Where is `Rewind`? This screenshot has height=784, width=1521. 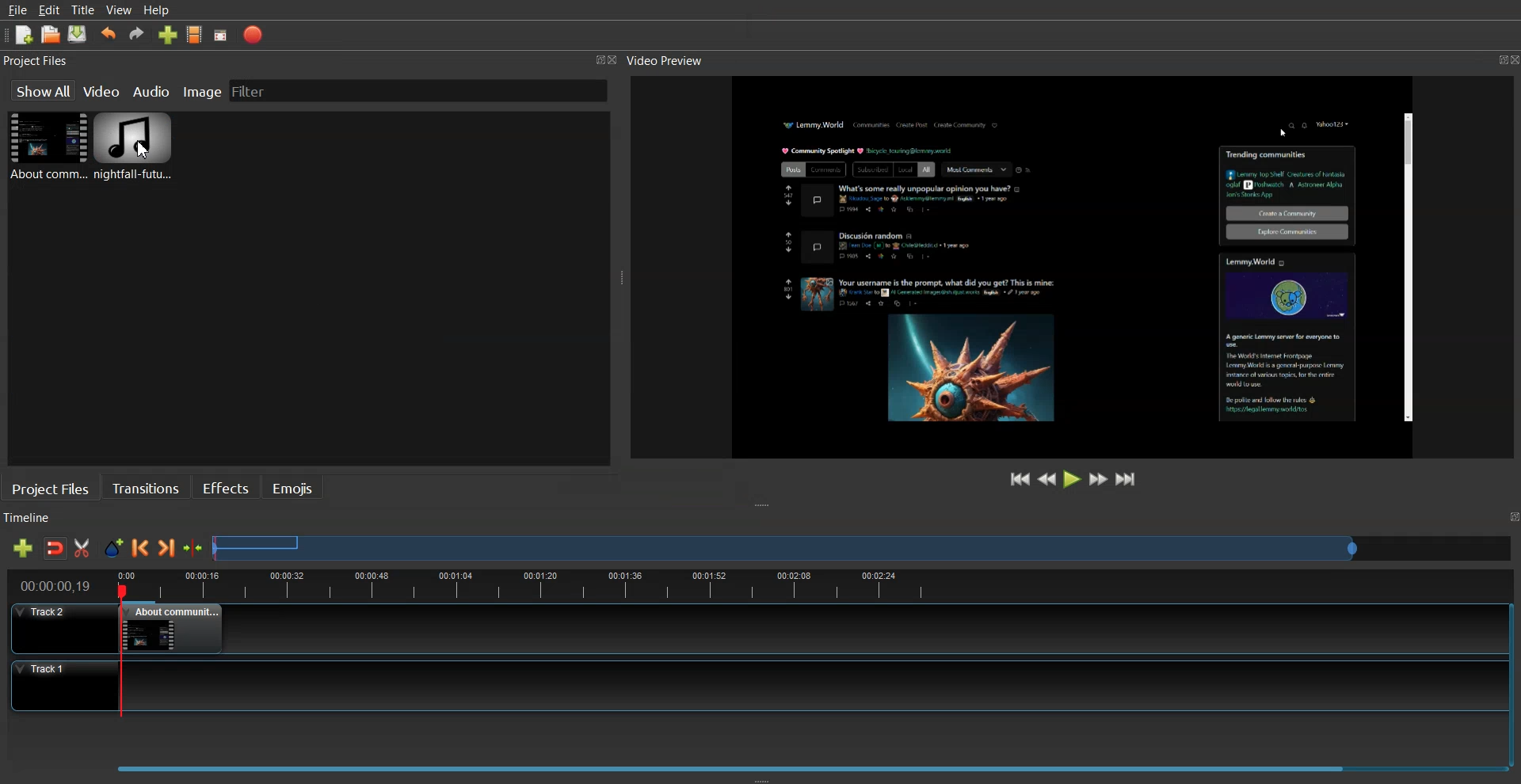 Rewind is located at coordinates (1047, 478).